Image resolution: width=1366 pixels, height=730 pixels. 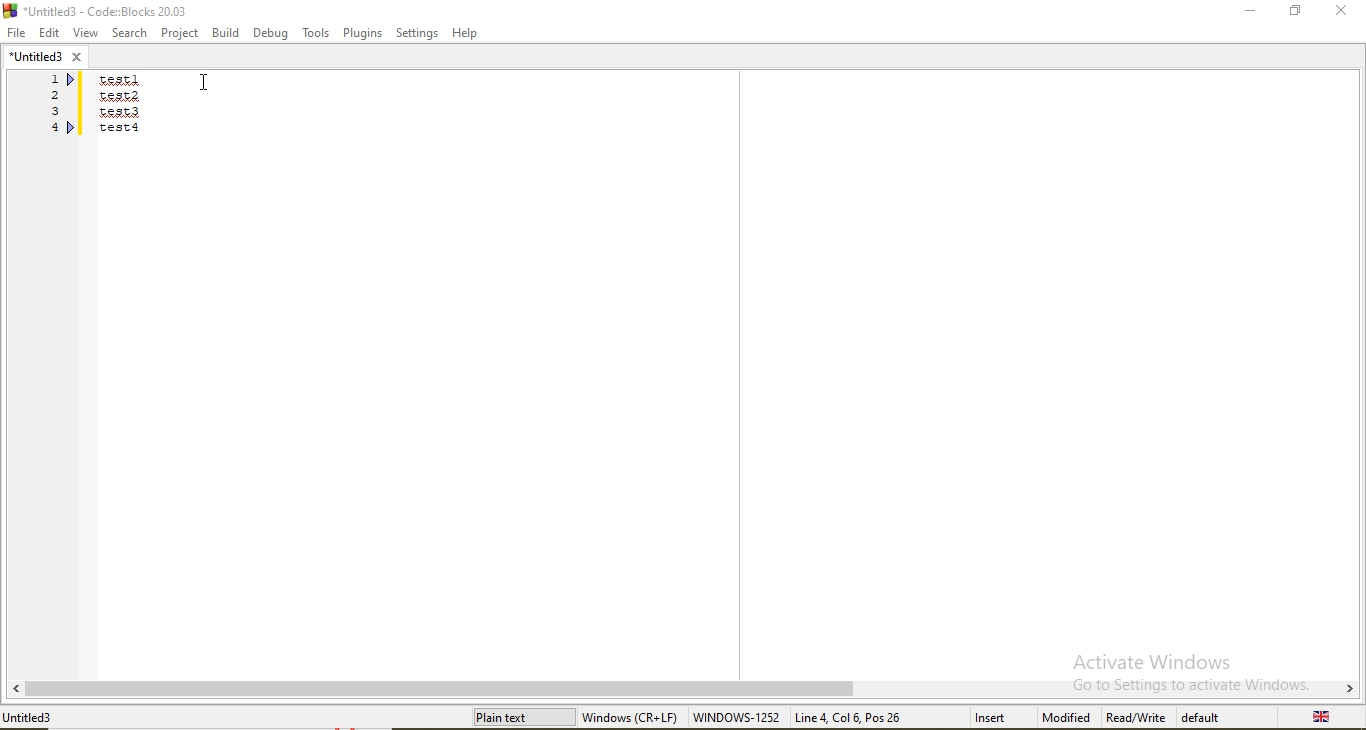 I want to click on default, so click(x=1204, y=717).